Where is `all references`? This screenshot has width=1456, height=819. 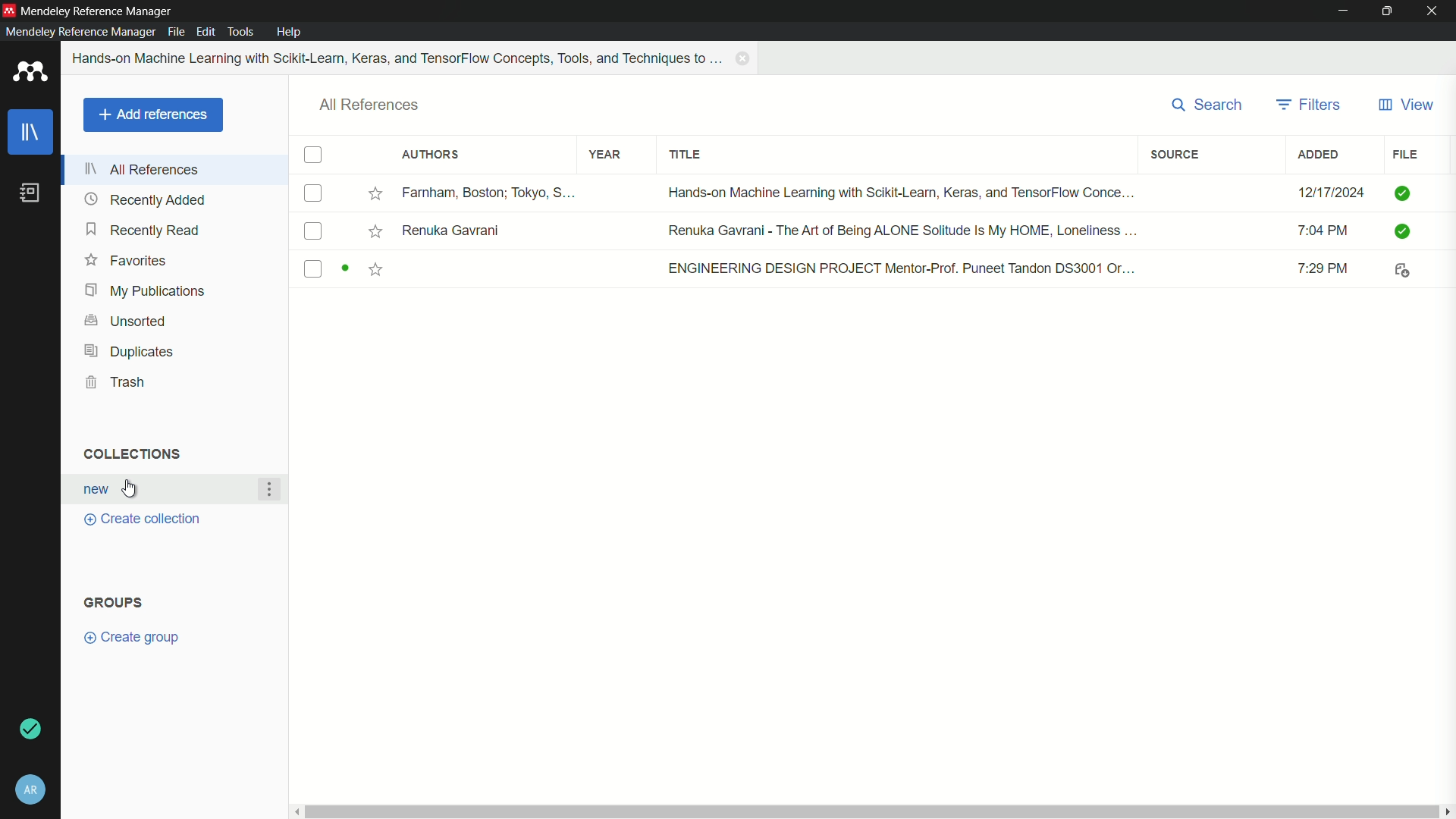 all references is located at coordinates (142, 169).